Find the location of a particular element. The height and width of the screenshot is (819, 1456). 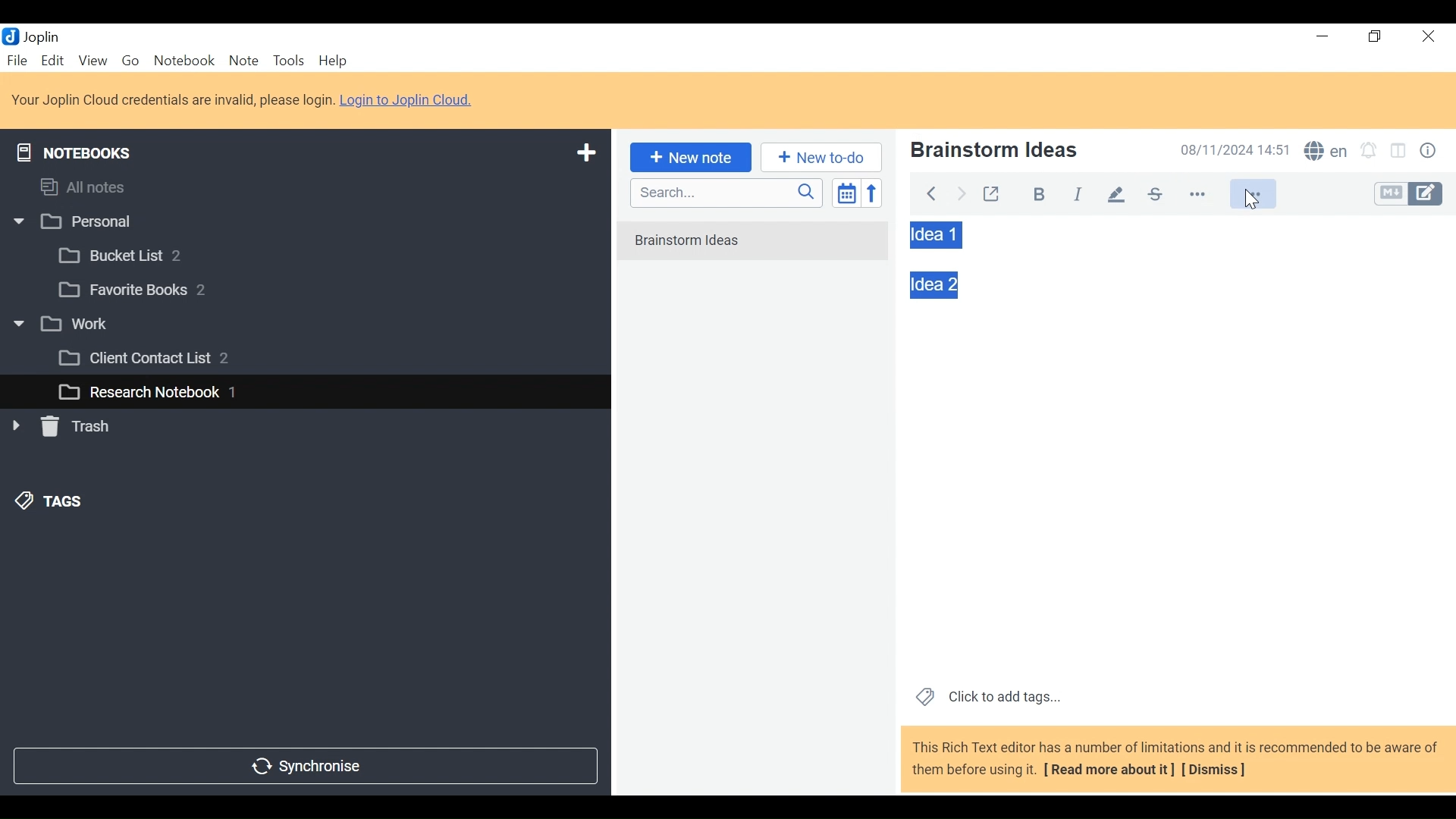

Login to Joplin Cloud is located at coordinates (172, 100).